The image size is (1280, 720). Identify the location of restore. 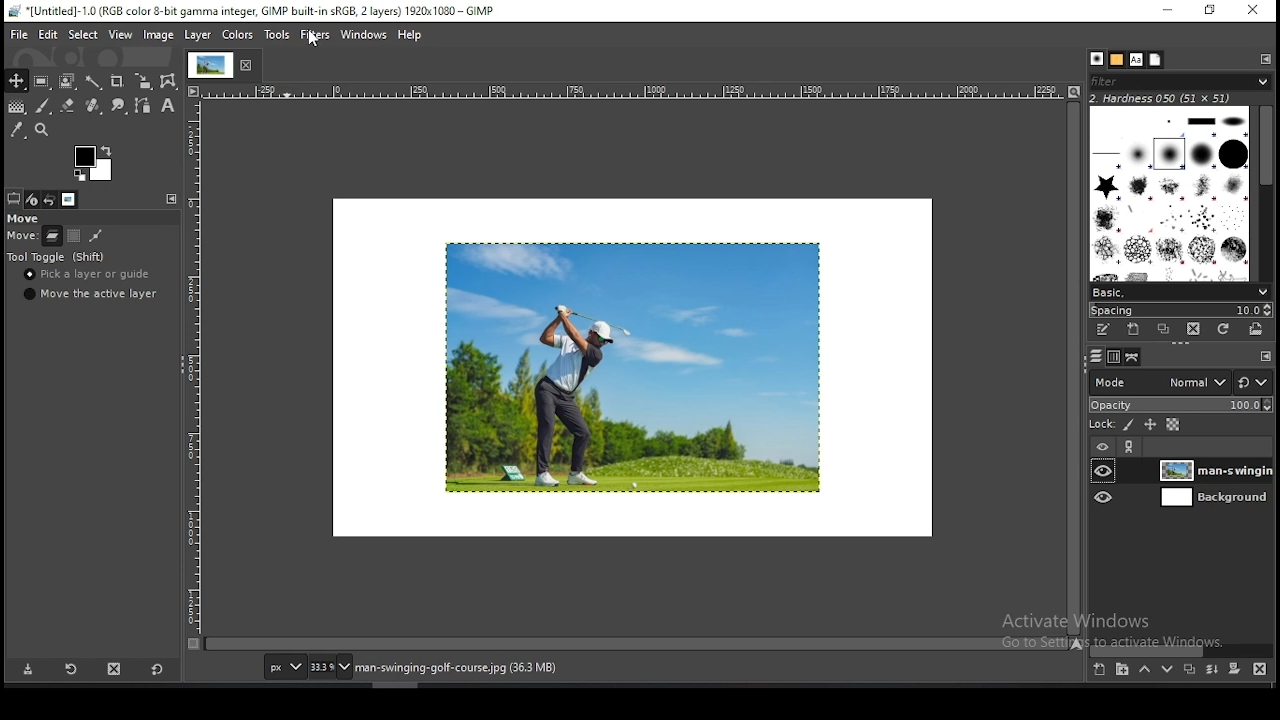
(1212, 11).